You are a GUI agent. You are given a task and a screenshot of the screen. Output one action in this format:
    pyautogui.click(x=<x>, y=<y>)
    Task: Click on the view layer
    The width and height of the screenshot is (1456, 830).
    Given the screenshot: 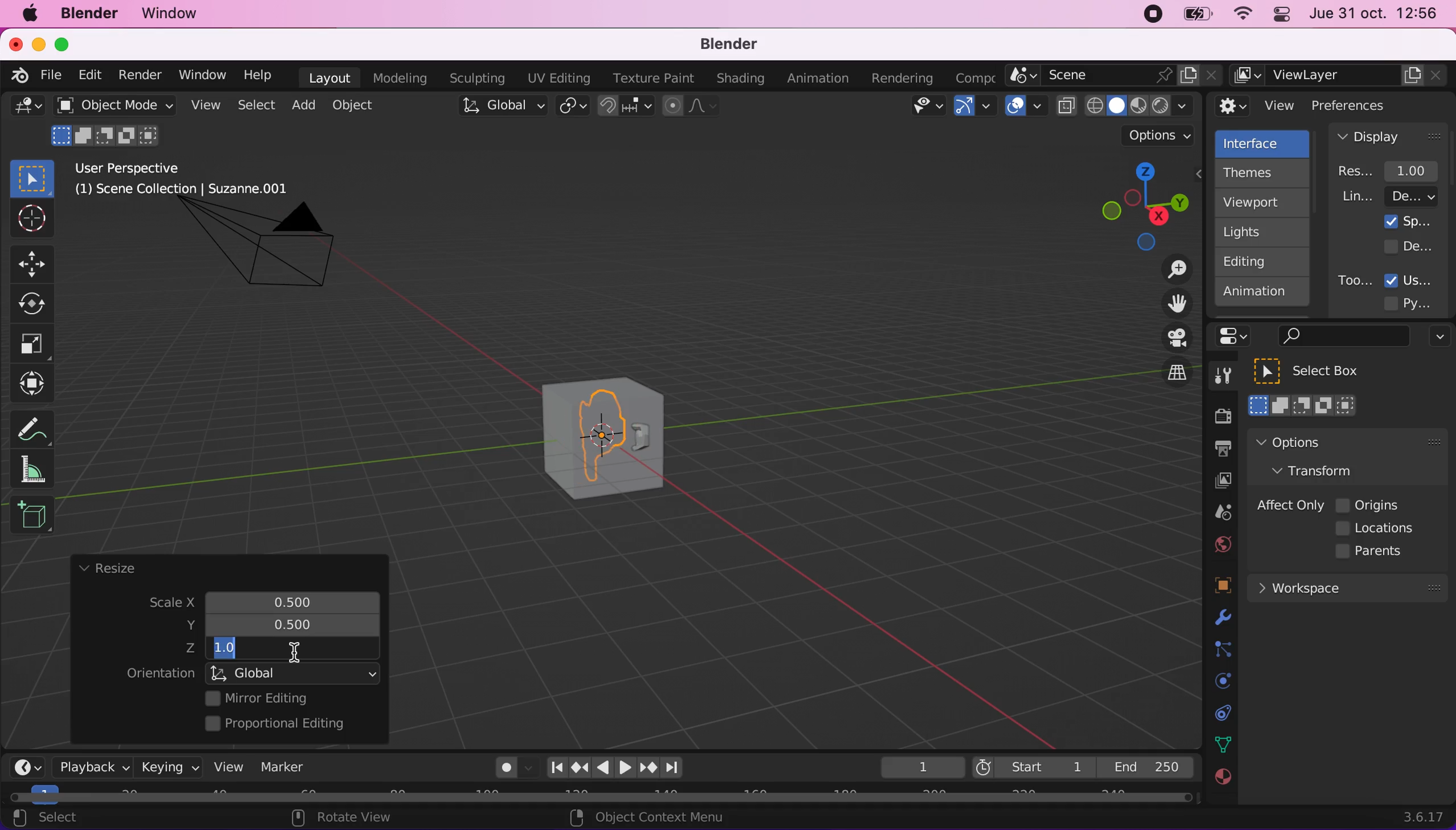 What is the action you would take?
    pyautogui.click(x=1217, y=482)
    